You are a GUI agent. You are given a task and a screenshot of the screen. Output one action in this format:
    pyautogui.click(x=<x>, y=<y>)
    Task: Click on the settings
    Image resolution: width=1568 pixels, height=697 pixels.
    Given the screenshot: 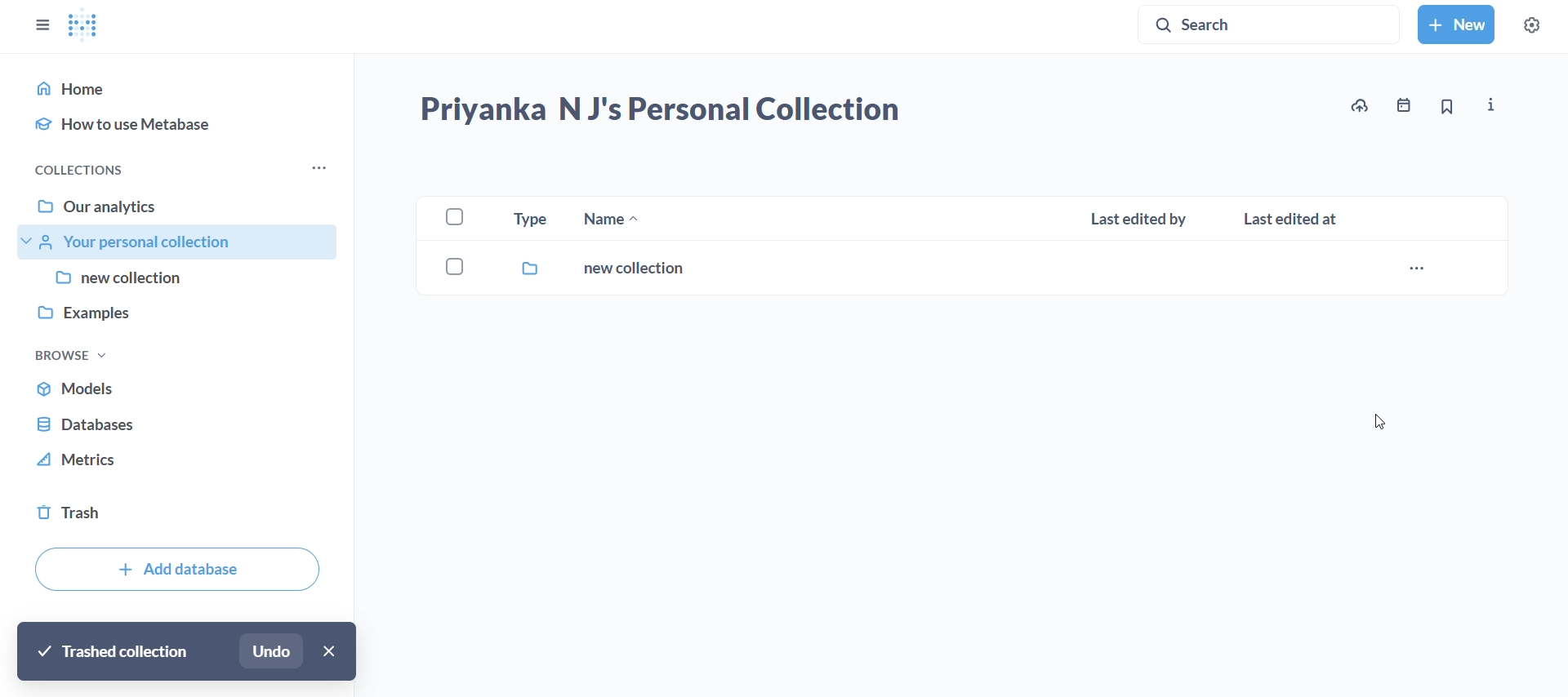 What is the action you would take?
    pyautogui.click(x=1532, y=23)
    